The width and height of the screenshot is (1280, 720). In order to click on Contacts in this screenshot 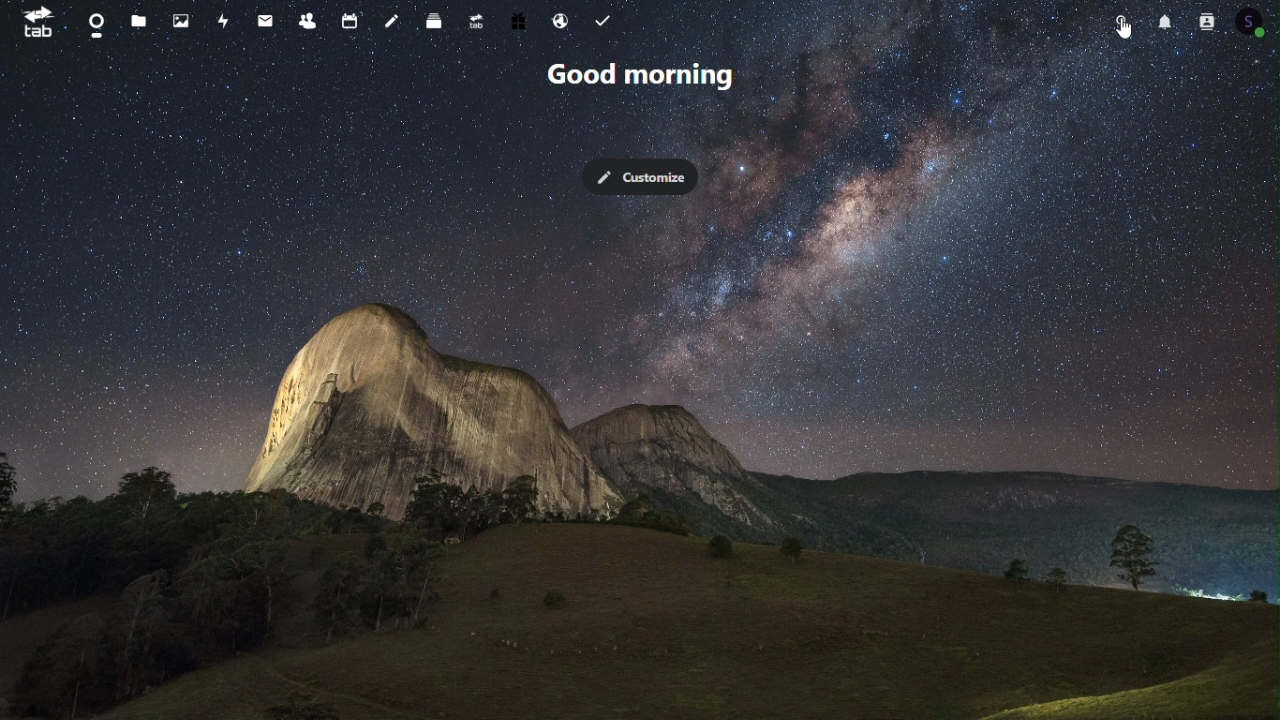, I will do `click(308, 17)`.